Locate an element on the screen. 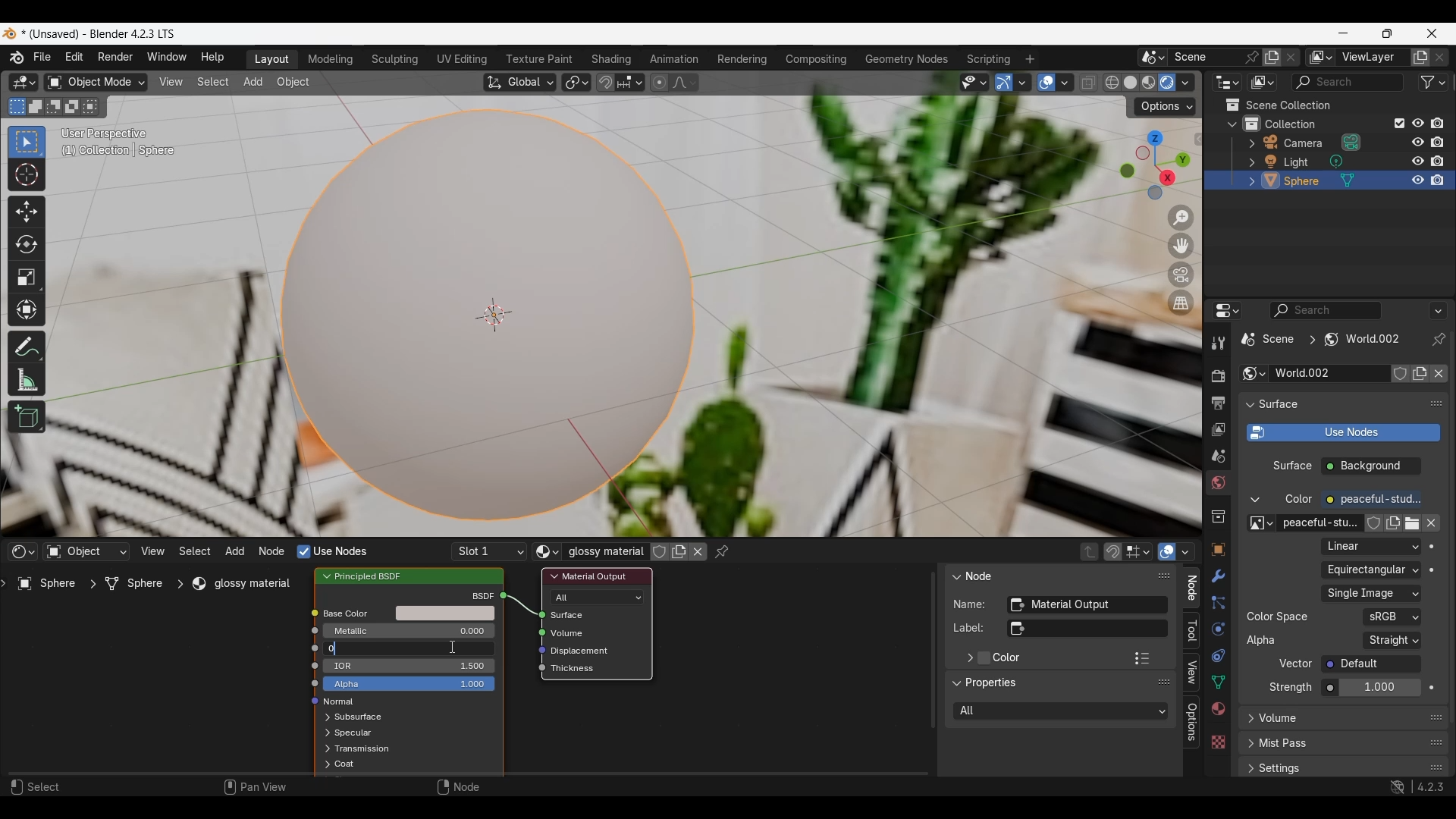 The height and width of the screenshot is (819, 1456). Animate property is located at coordinates (1432, 570).